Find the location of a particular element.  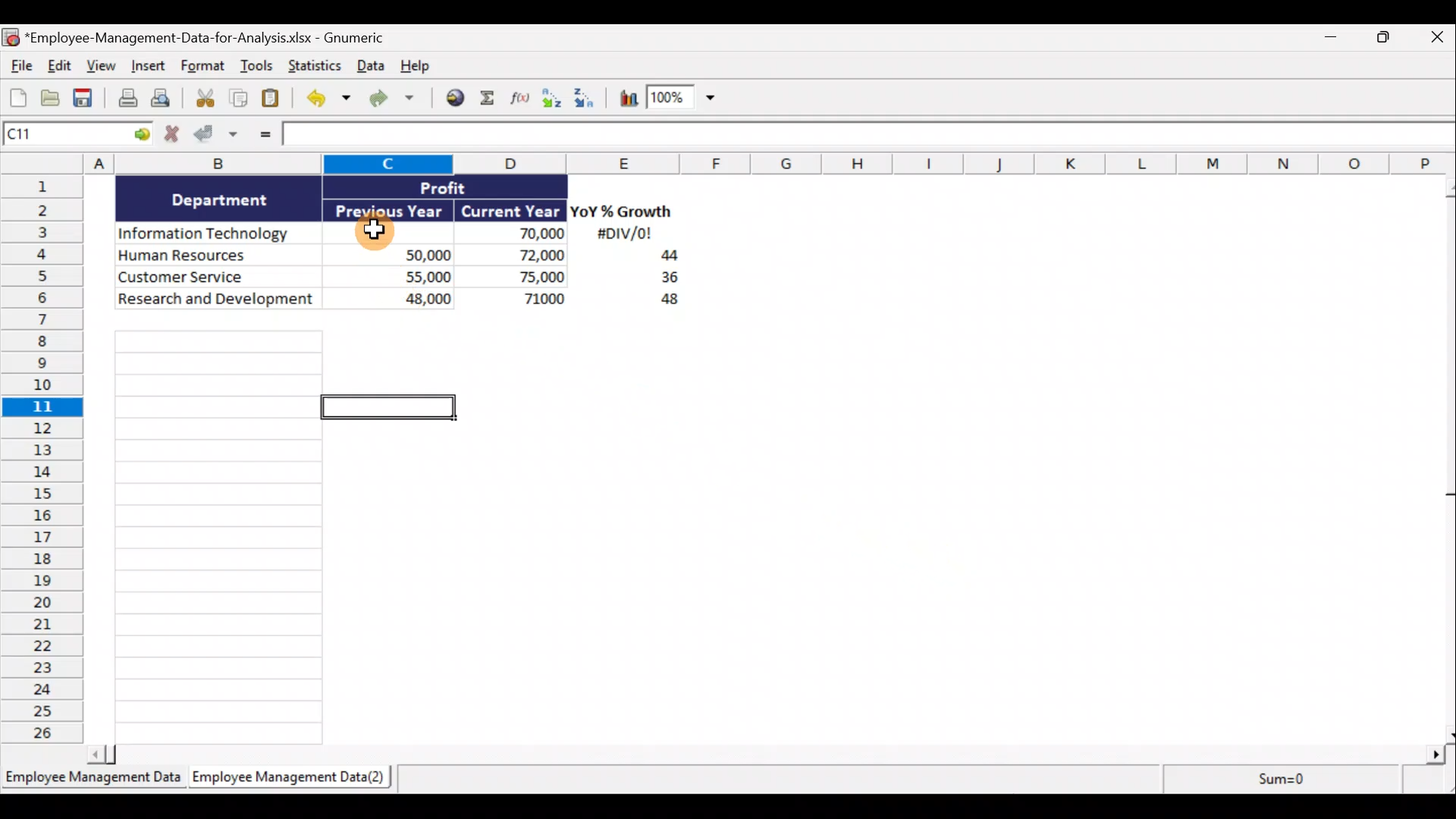

71,000 is located at coordinates (522, 300).